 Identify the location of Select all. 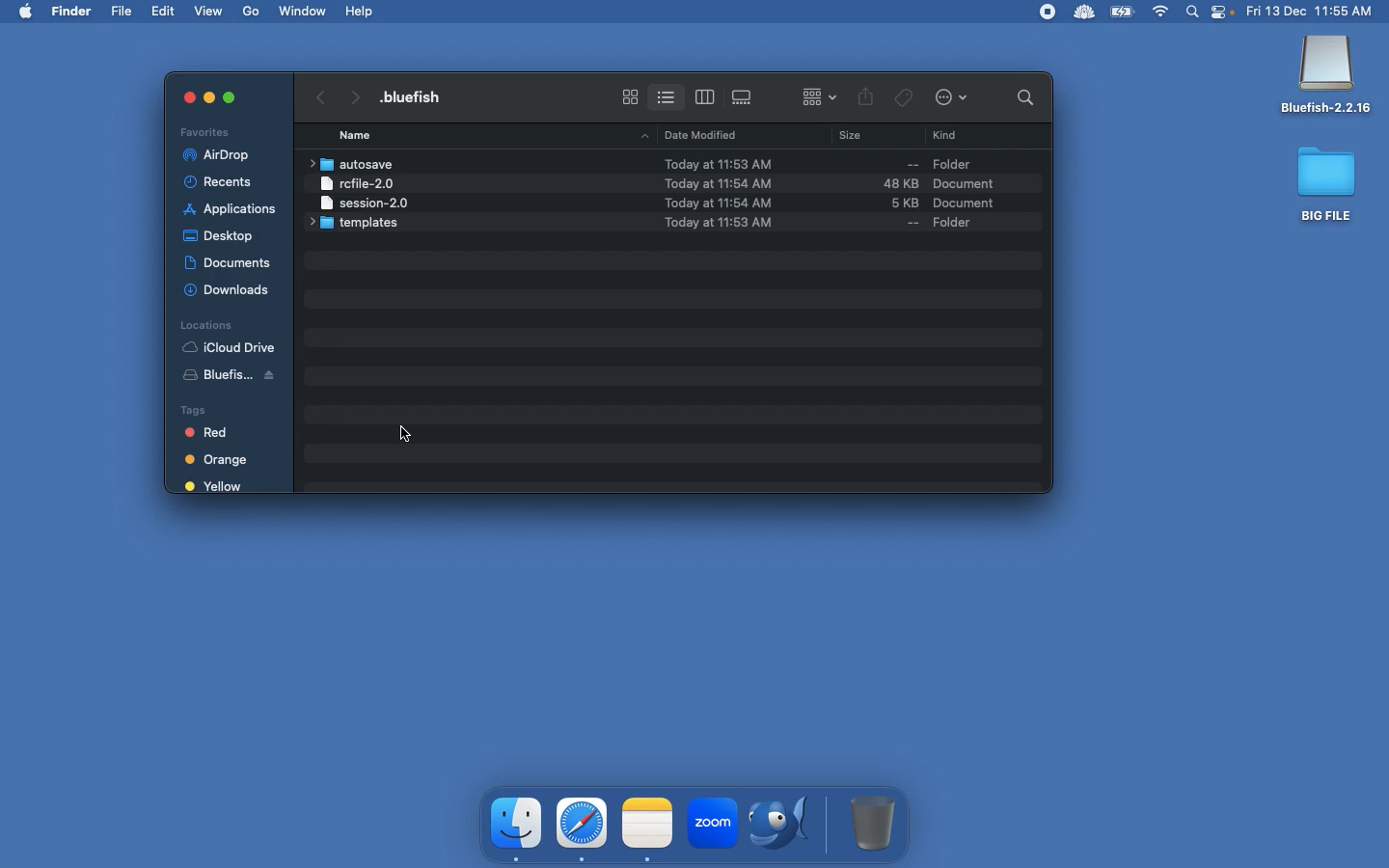
(410, 428).